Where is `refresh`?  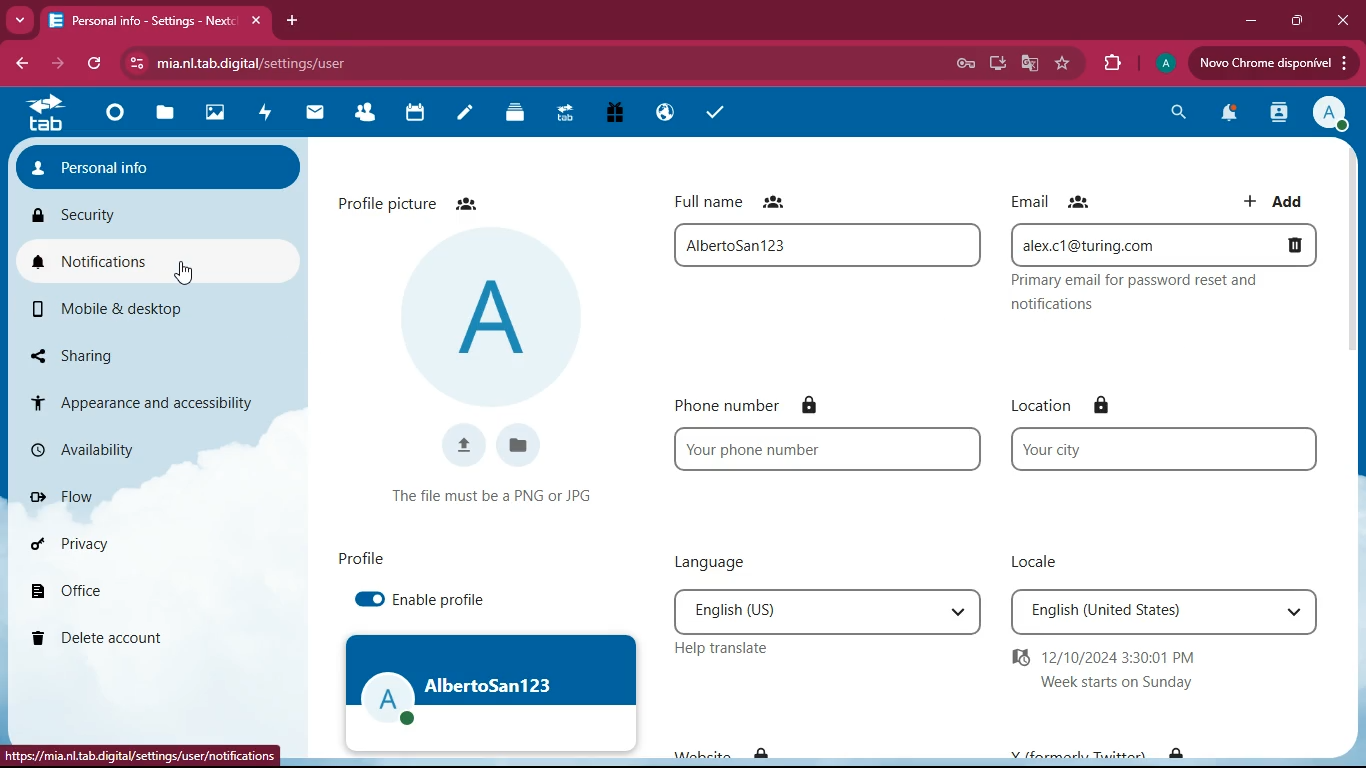
refresh is located at coordinates (95, 65).